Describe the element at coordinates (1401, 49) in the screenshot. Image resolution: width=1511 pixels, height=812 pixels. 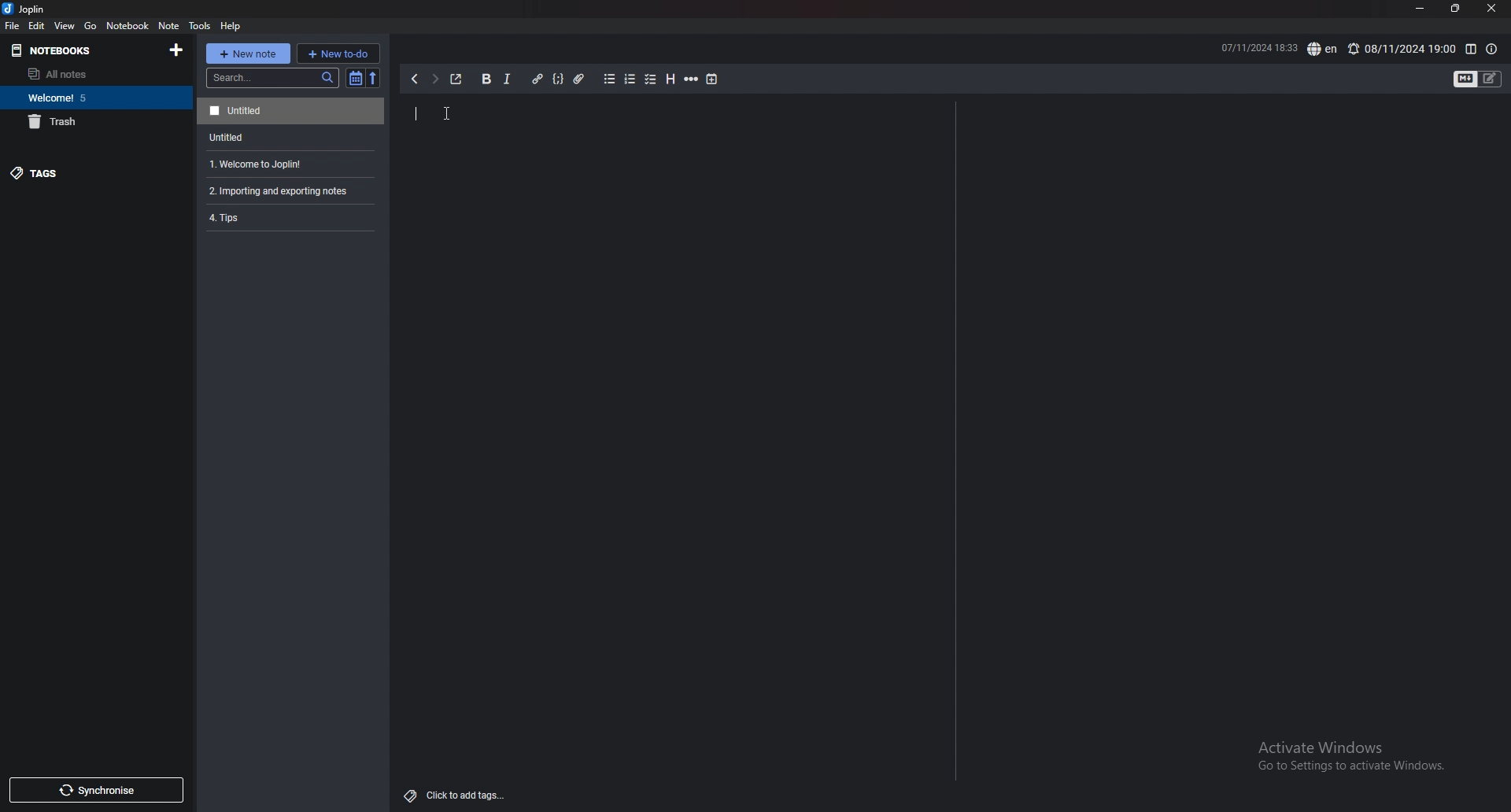
I see ` 08/11/2024 19:00` at that location.